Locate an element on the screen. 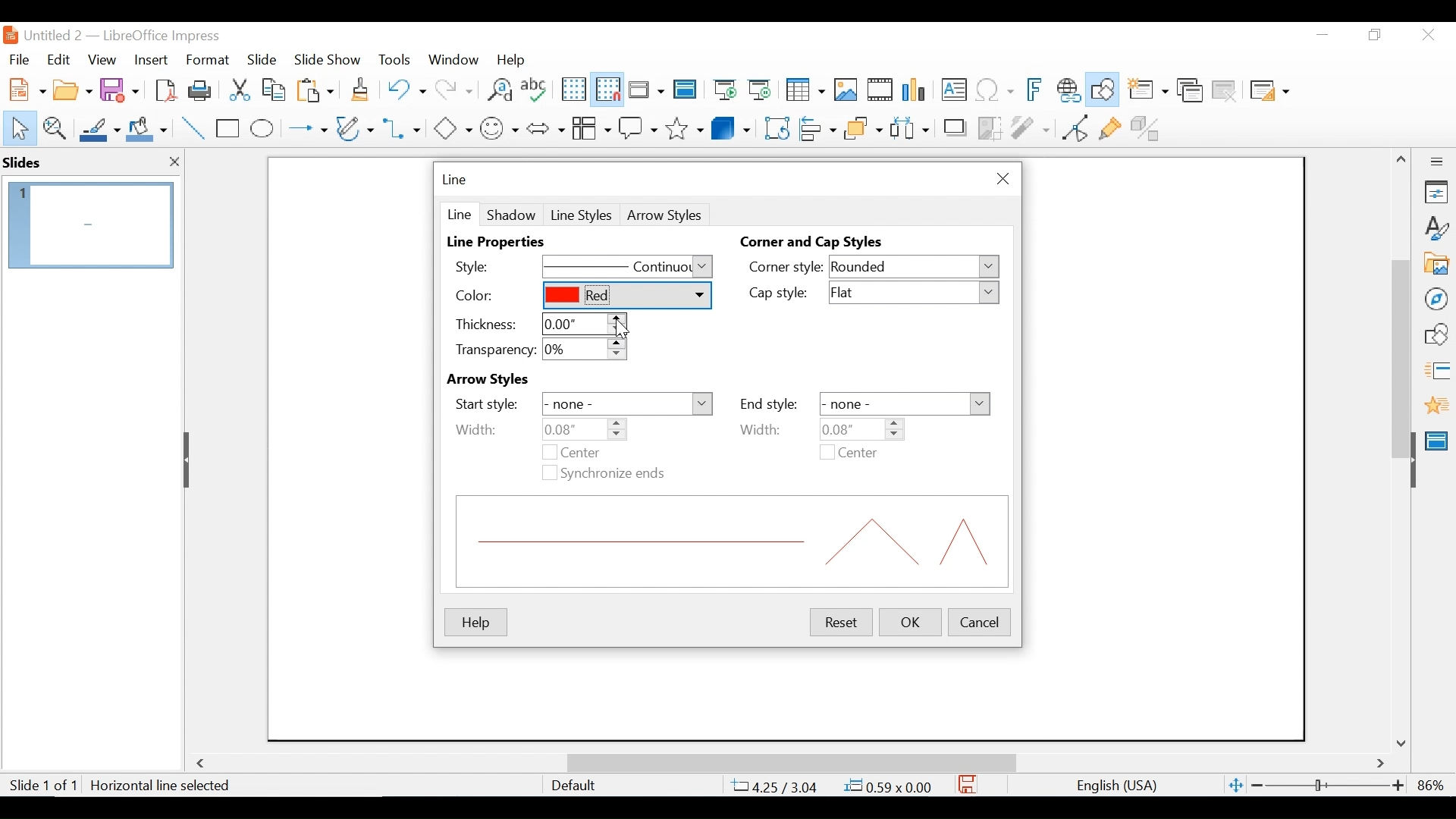 The height and width of the screenshot is (819, 1456). Line menu is located at coordinates (456, 180).